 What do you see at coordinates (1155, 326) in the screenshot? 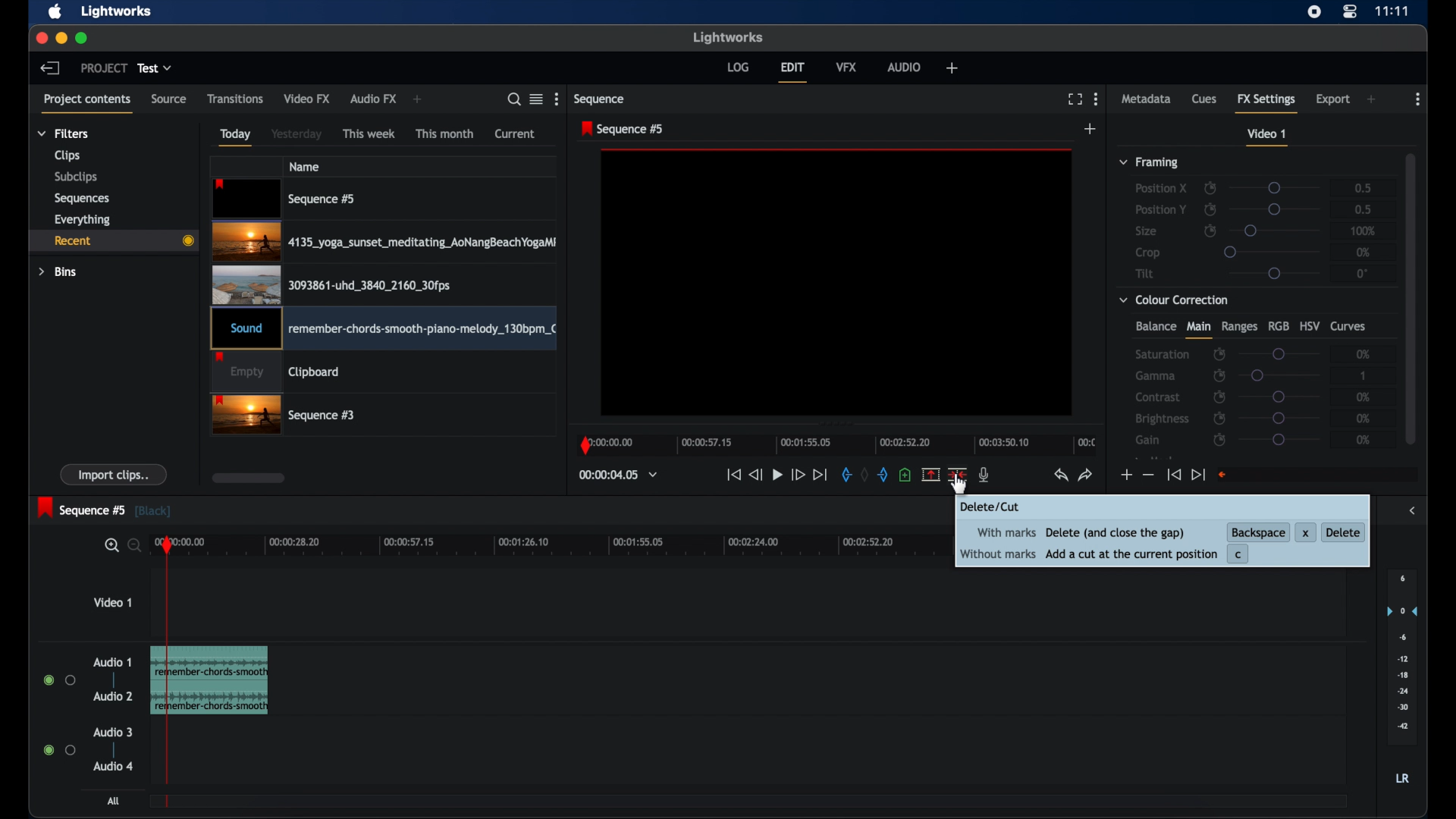
I see `balance` at bounding box center [1155, 326].